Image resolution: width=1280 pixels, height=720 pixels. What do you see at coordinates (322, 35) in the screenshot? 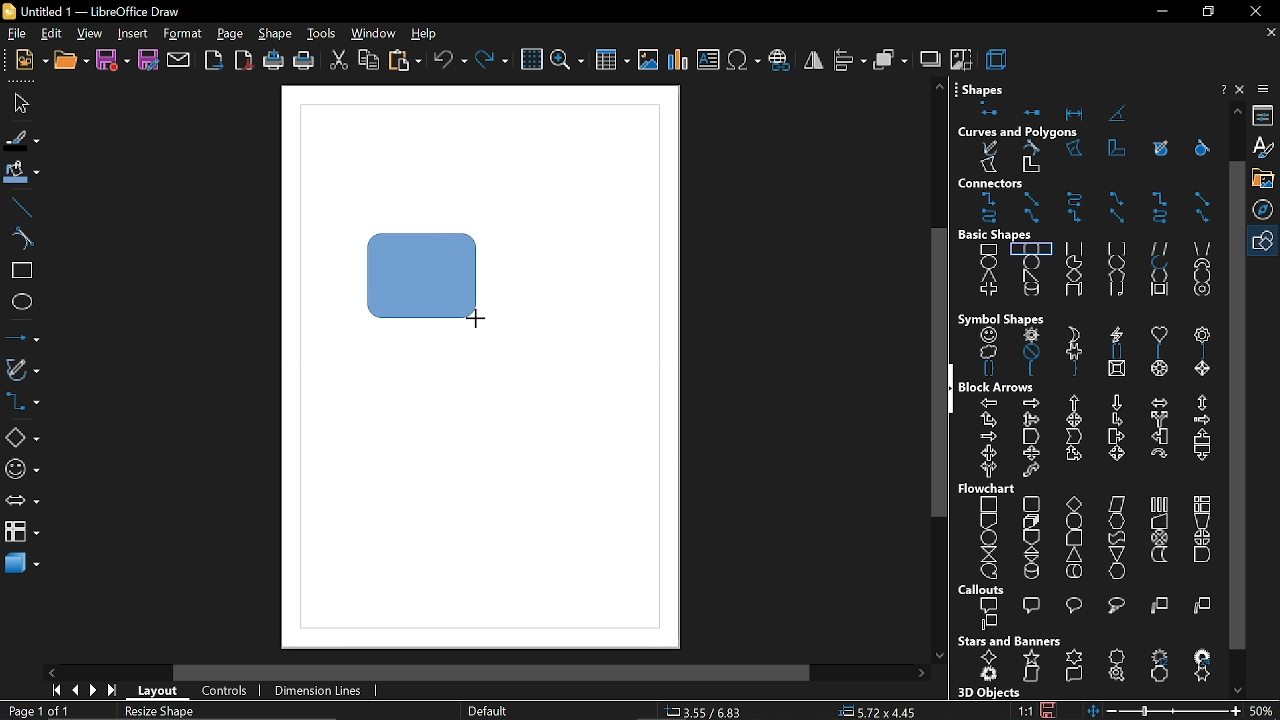
I see `tools` at bounding box center [322, 35].